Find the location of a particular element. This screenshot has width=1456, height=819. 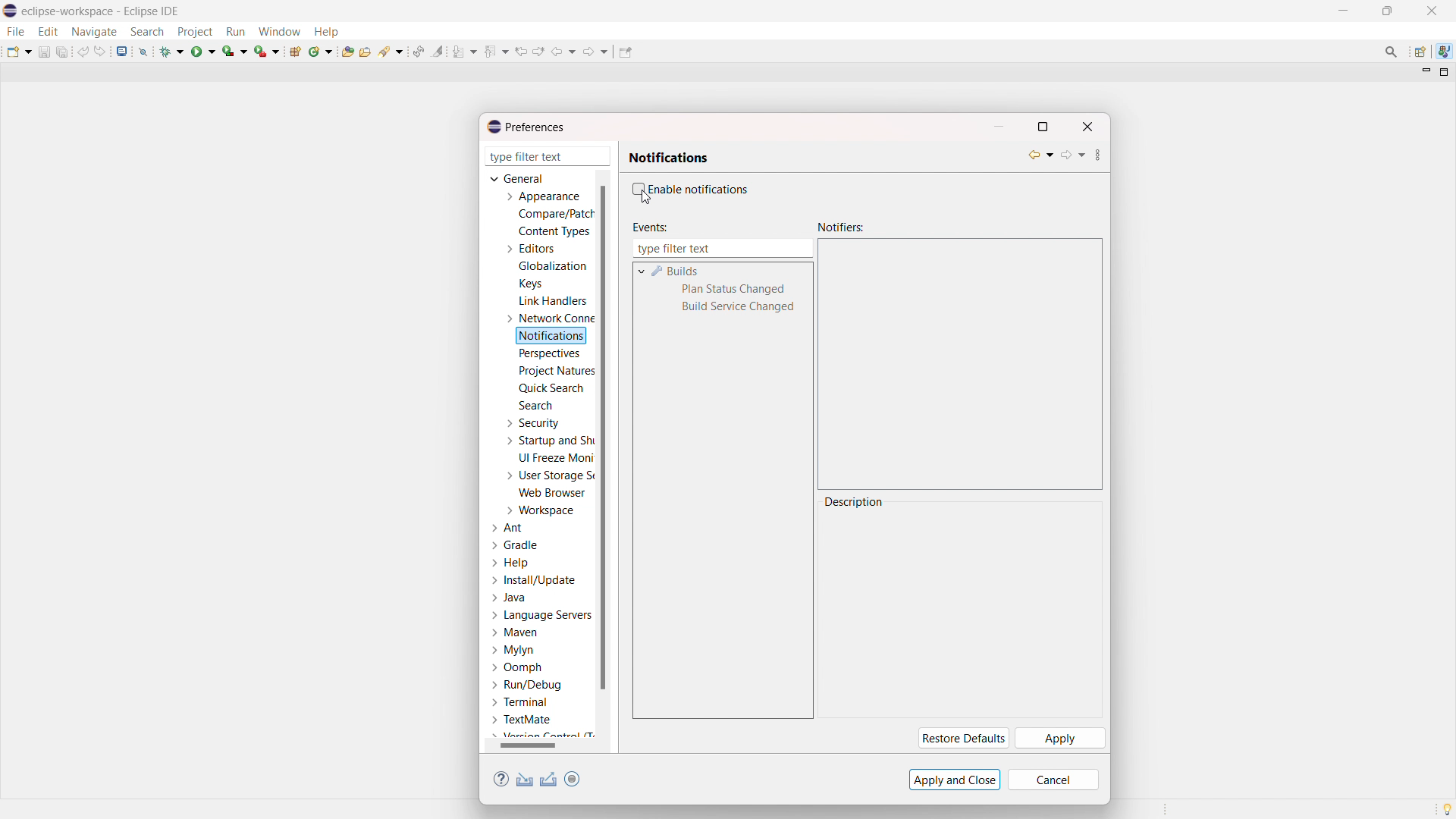

editors is located at coordinates (529, 249).